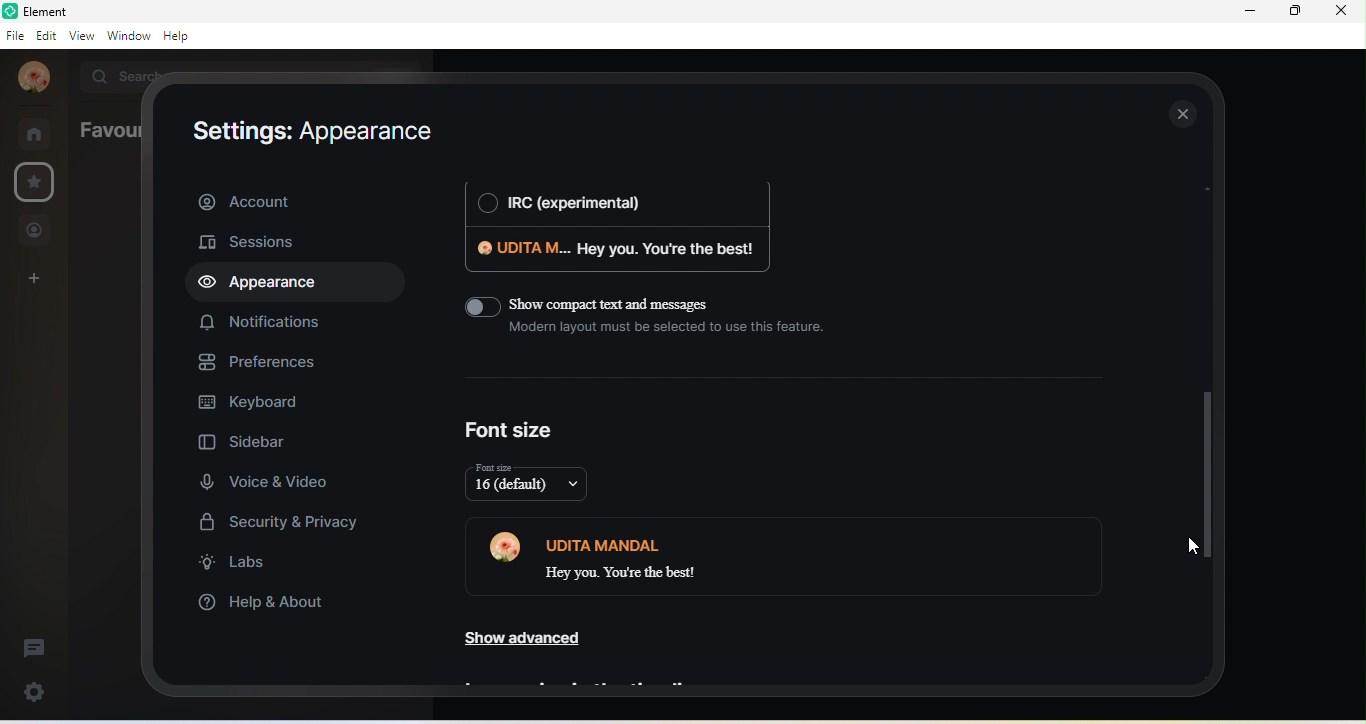  I want to click on irc (experimental), so click(613, 205).